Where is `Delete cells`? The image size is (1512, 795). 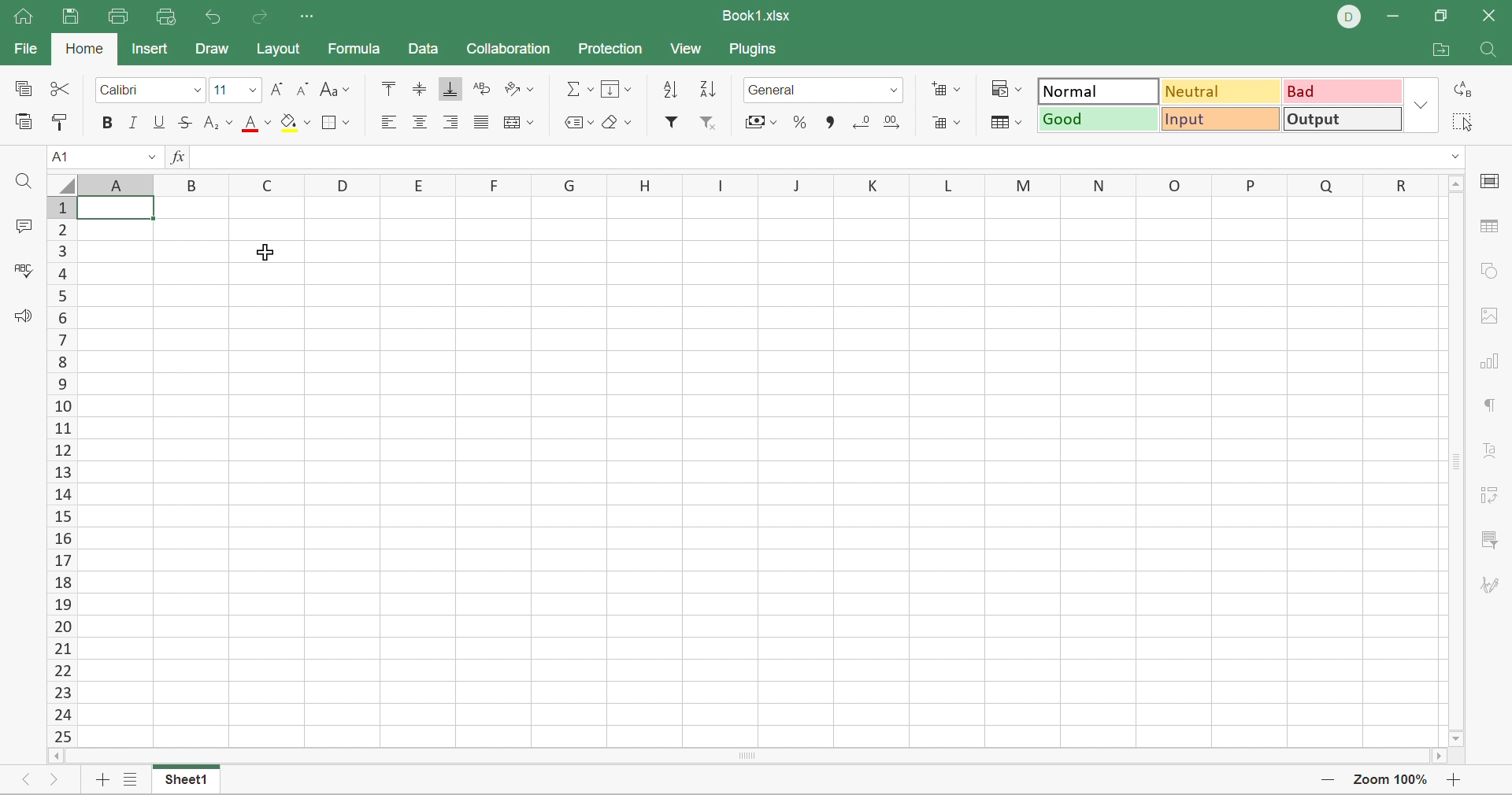 Delete cells is located at coordinates (948, 124).